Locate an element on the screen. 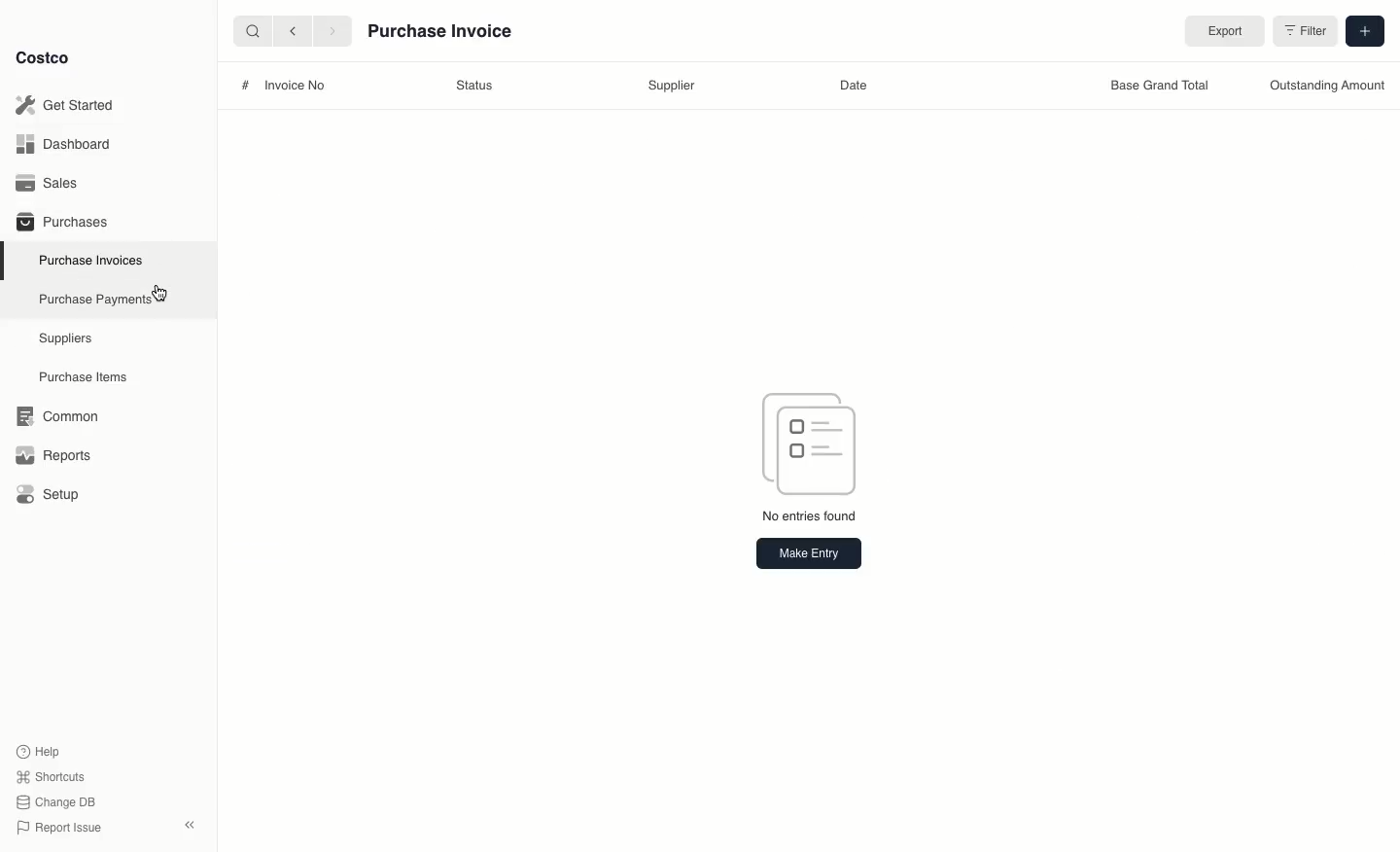  Add is located at coordinates (1363, 29).